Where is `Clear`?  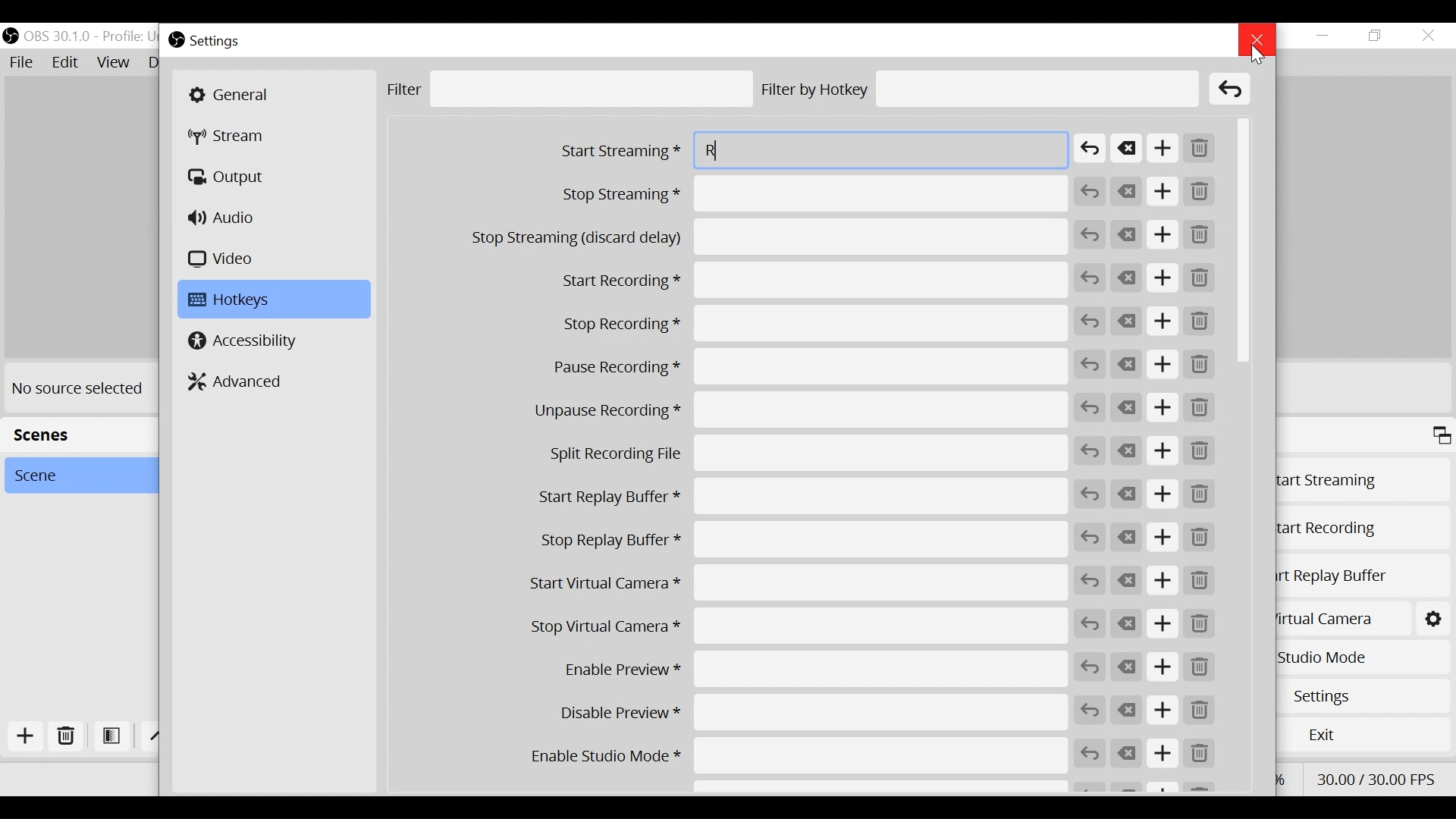 Clear is located at coordinates (1126, 667).